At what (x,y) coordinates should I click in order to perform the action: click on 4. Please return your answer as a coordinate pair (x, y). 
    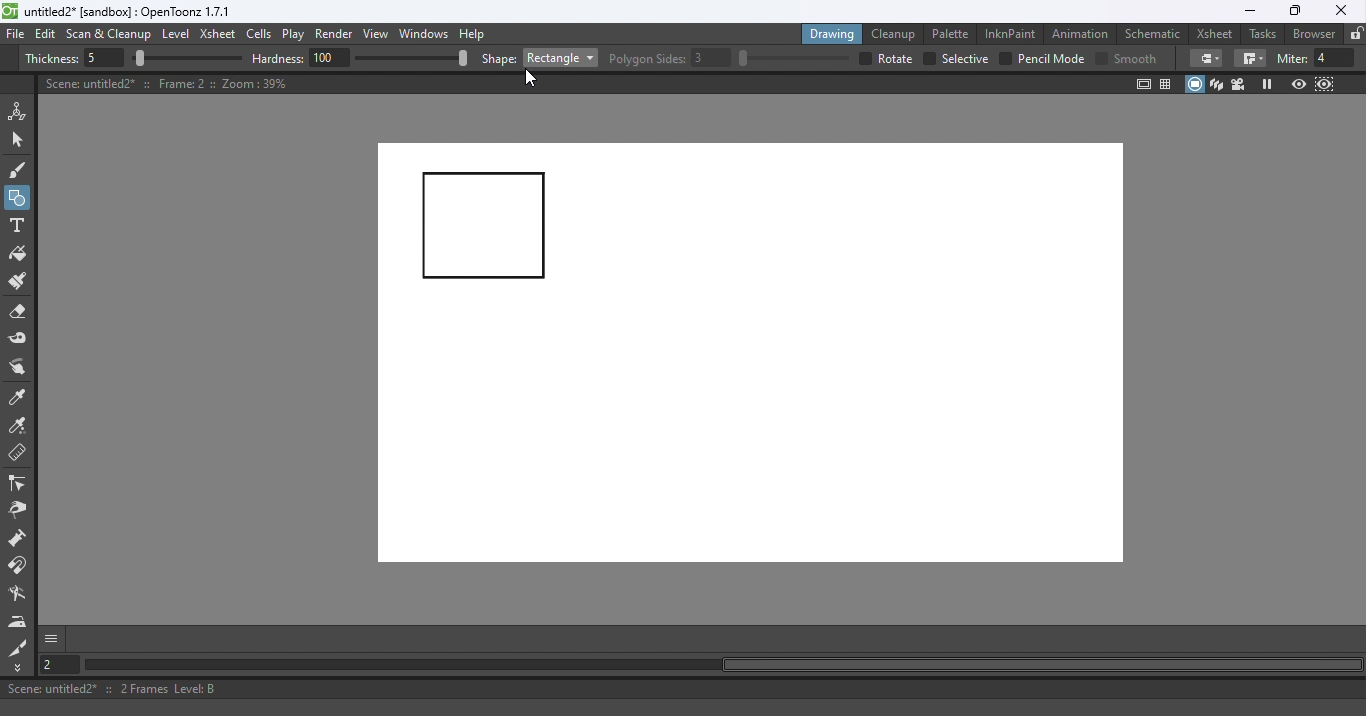
    Looking at the image, I should click on (1335, 58).